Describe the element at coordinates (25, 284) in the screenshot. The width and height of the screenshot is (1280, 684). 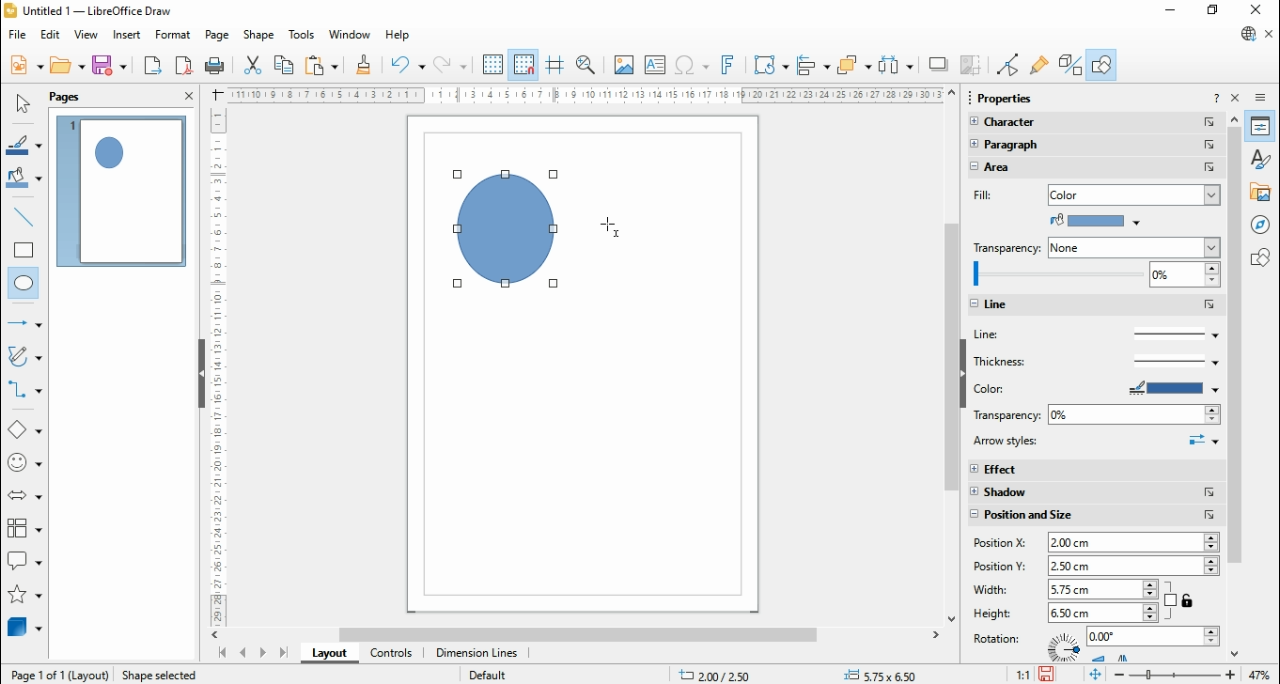
I see `ellipse` at that location.